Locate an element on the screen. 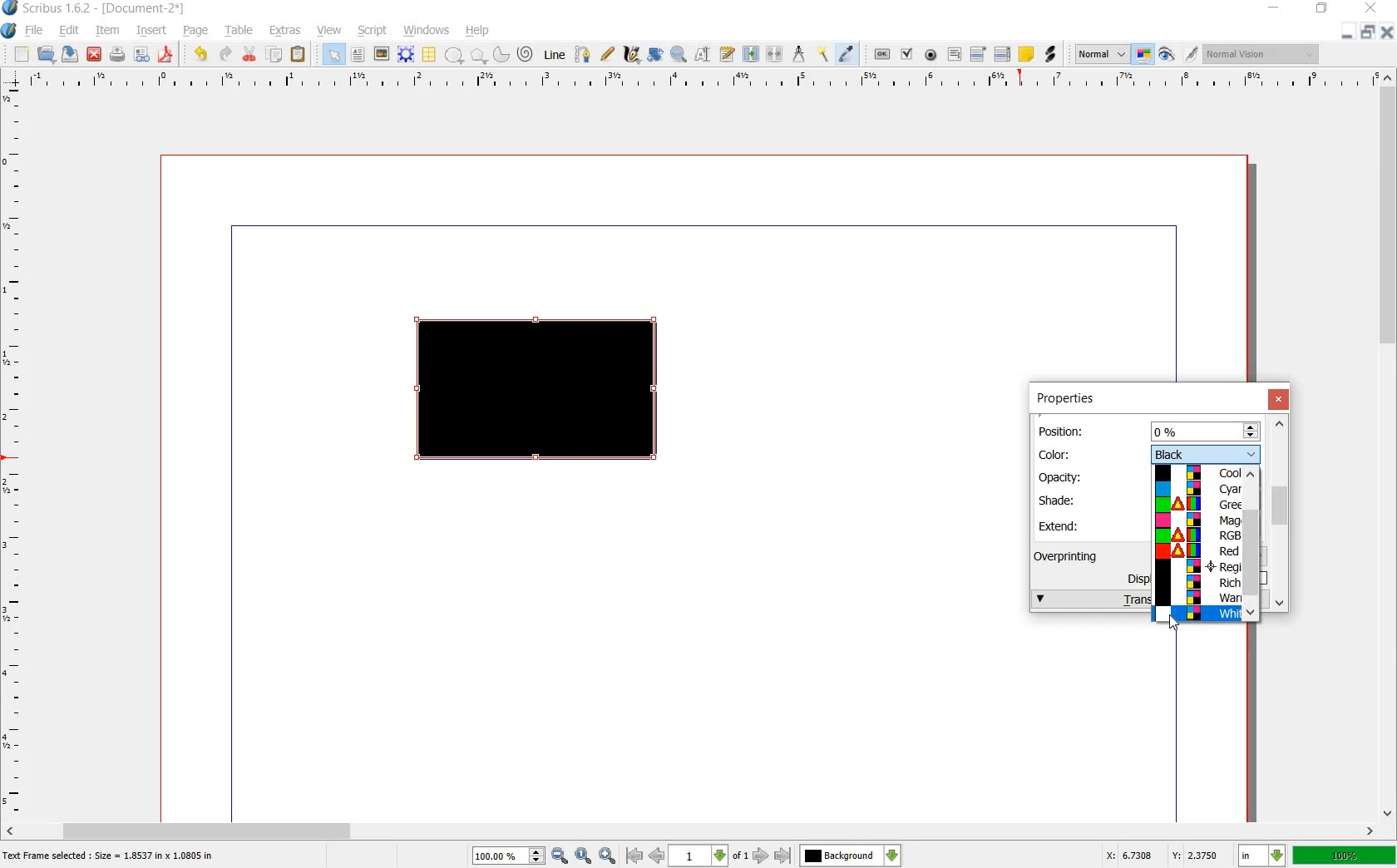 The width and height of the screenshot is (1397, 868). scrollbar is located at coordinates (1252, 545).